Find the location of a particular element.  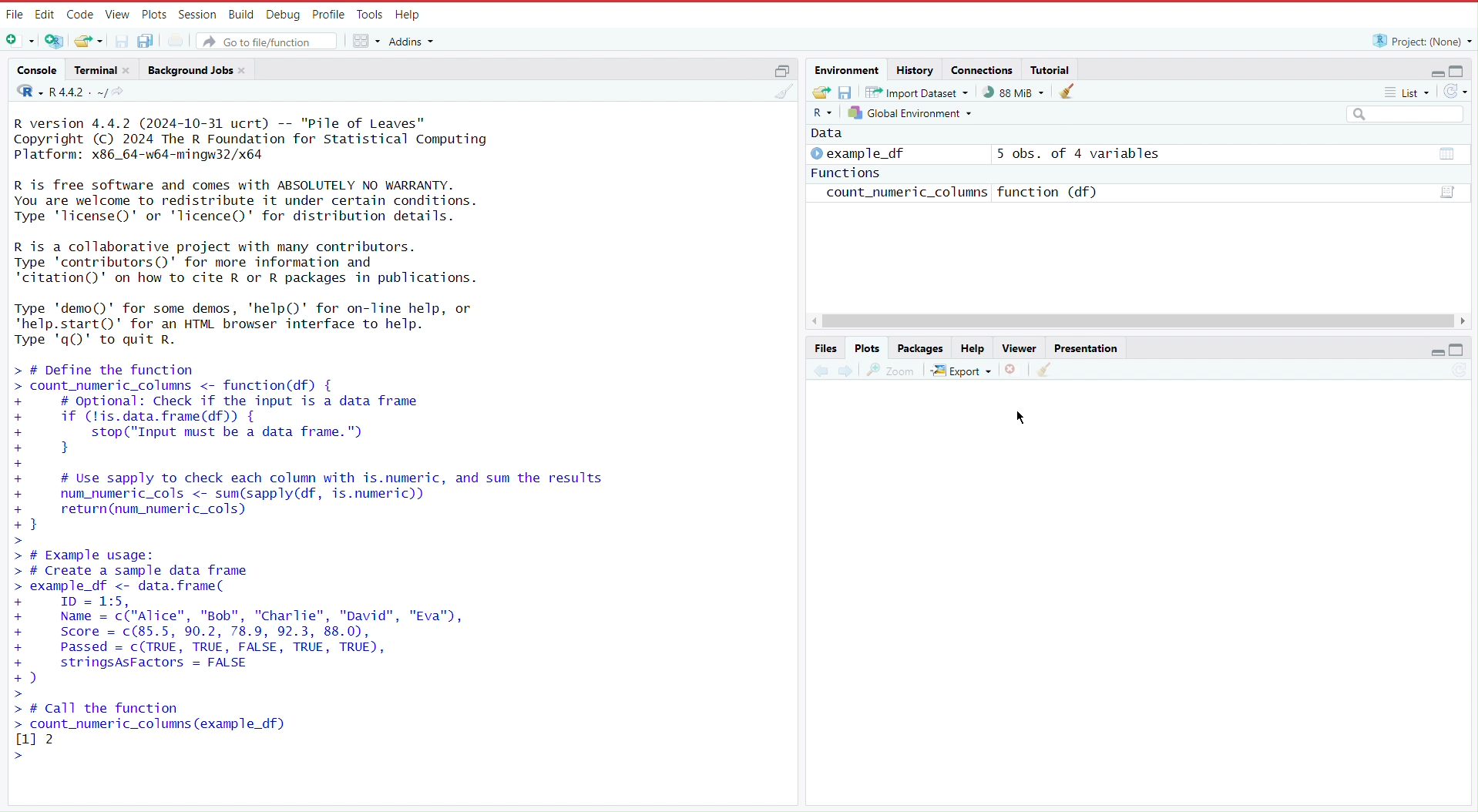

R is located at coordinates (25, 93).